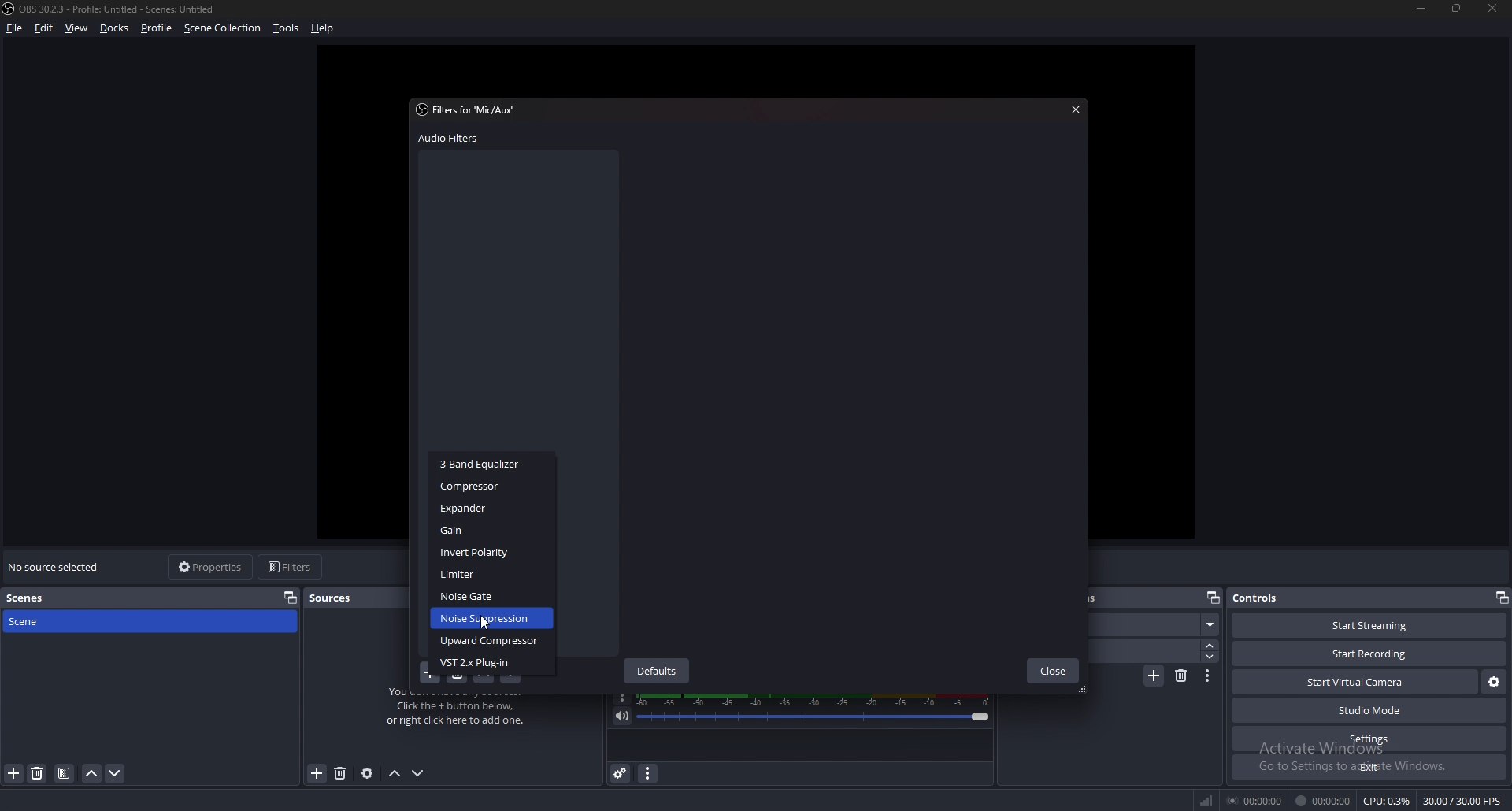  I want to click on profile, so click(157, 29).